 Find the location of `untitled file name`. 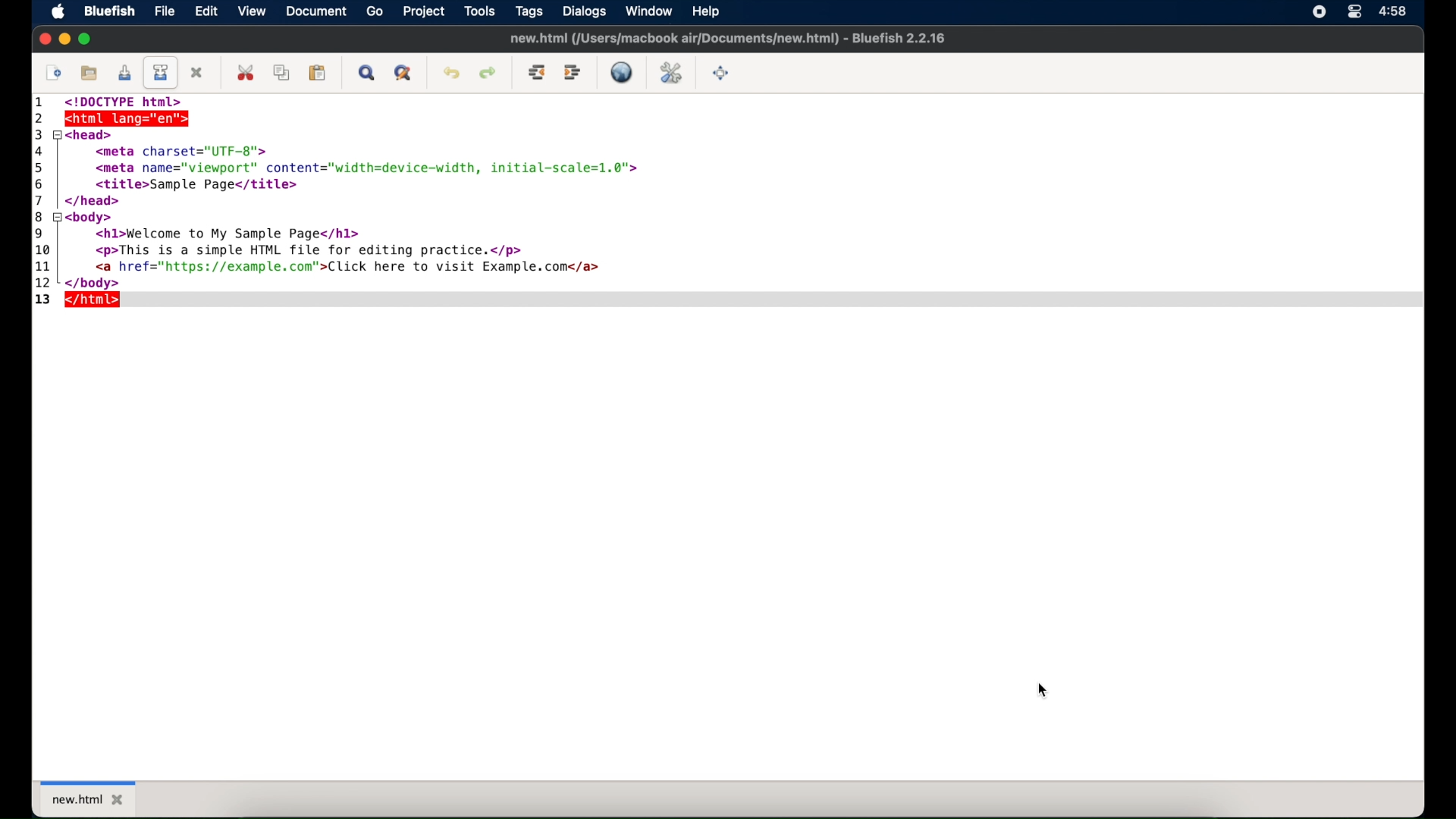

untitled file name is located at coordinates (726, 38).